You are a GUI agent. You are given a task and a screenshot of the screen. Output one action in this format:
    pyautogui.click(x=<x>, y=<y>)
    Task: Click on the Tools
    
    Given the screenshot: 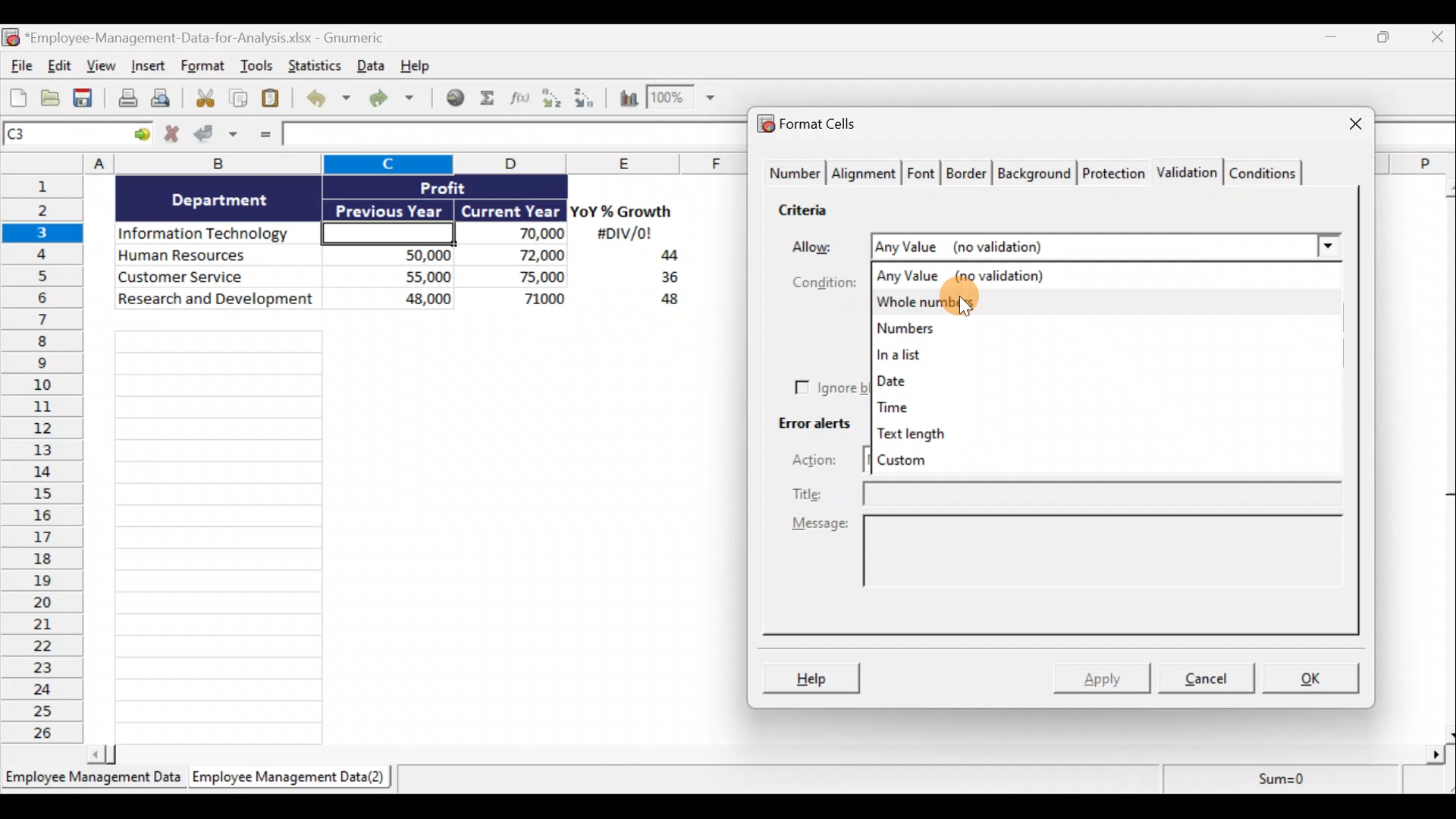 What is the action you would take?
    pyautogui.click(x=257, y=67)
    